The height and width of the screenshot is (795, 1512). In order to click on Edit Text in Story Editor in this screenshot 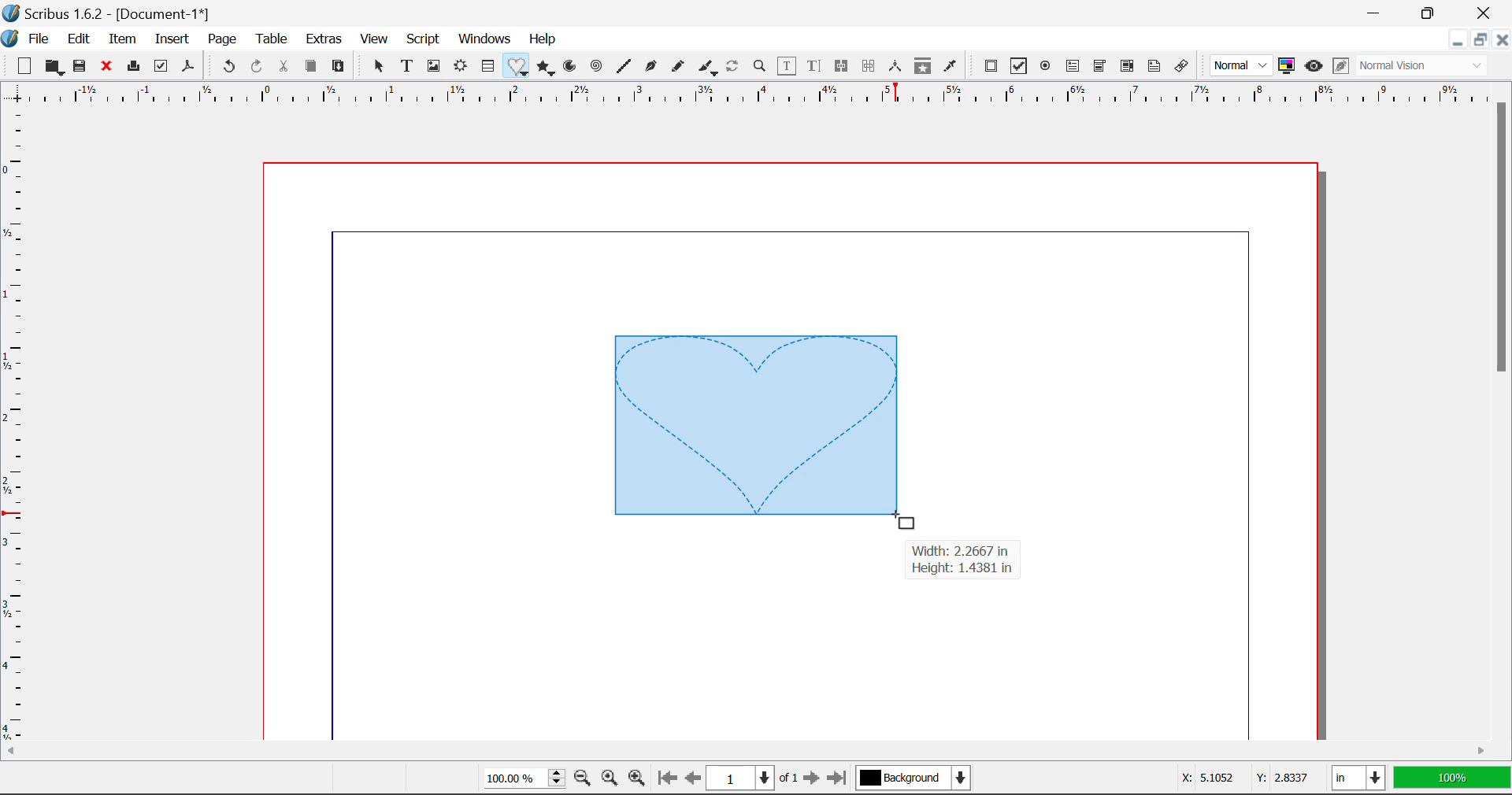, I will do `click(814, 68)`.